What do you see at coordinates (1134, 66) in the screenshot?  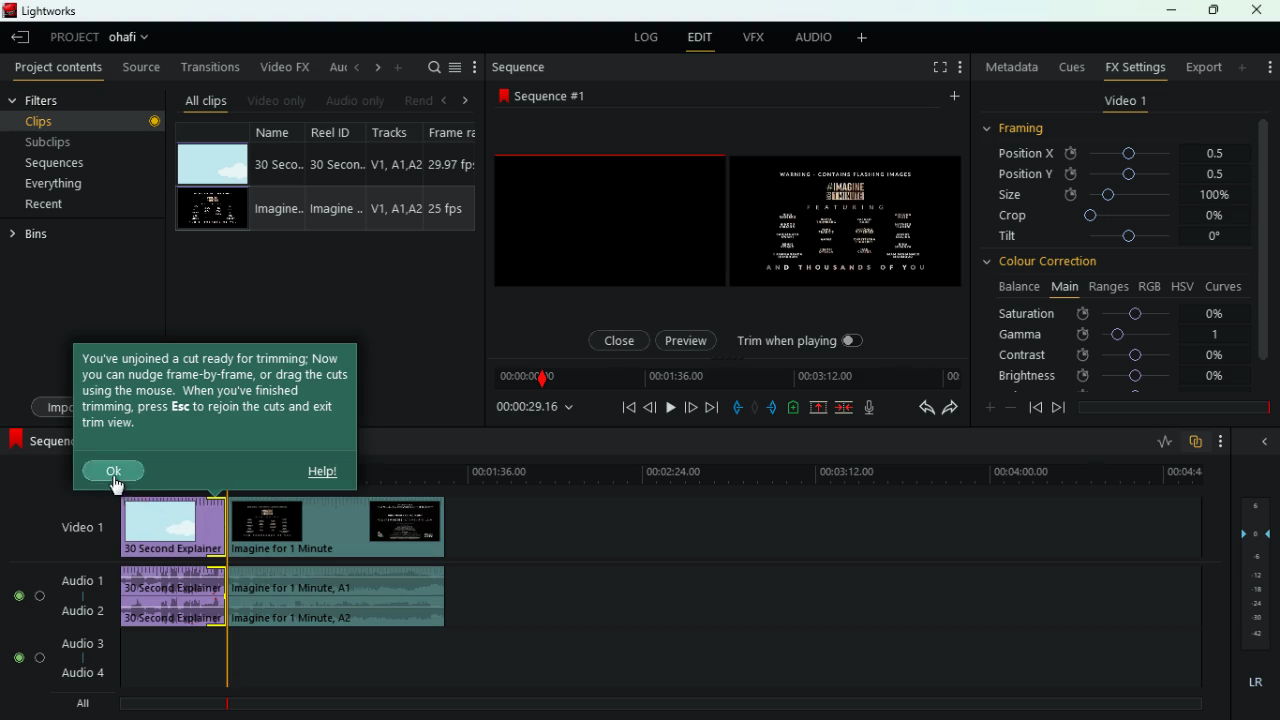 I see `fx settings` at bounding box center [1134, 66].